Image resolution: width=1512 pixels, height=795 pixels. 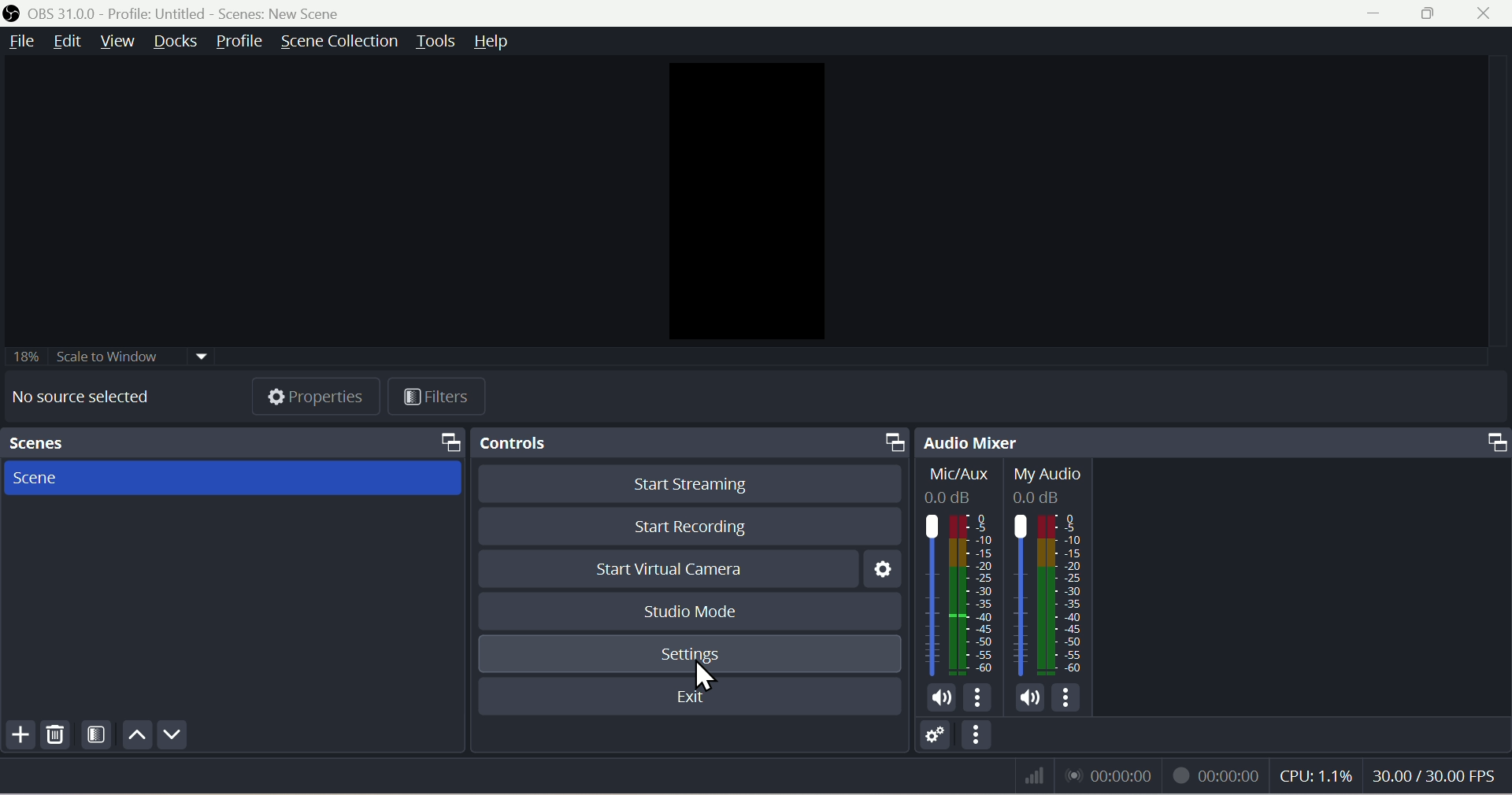 What do you see at coordinates (615, 442) in the screenshot?
I see `Controls` at bounding box center [615, 442].